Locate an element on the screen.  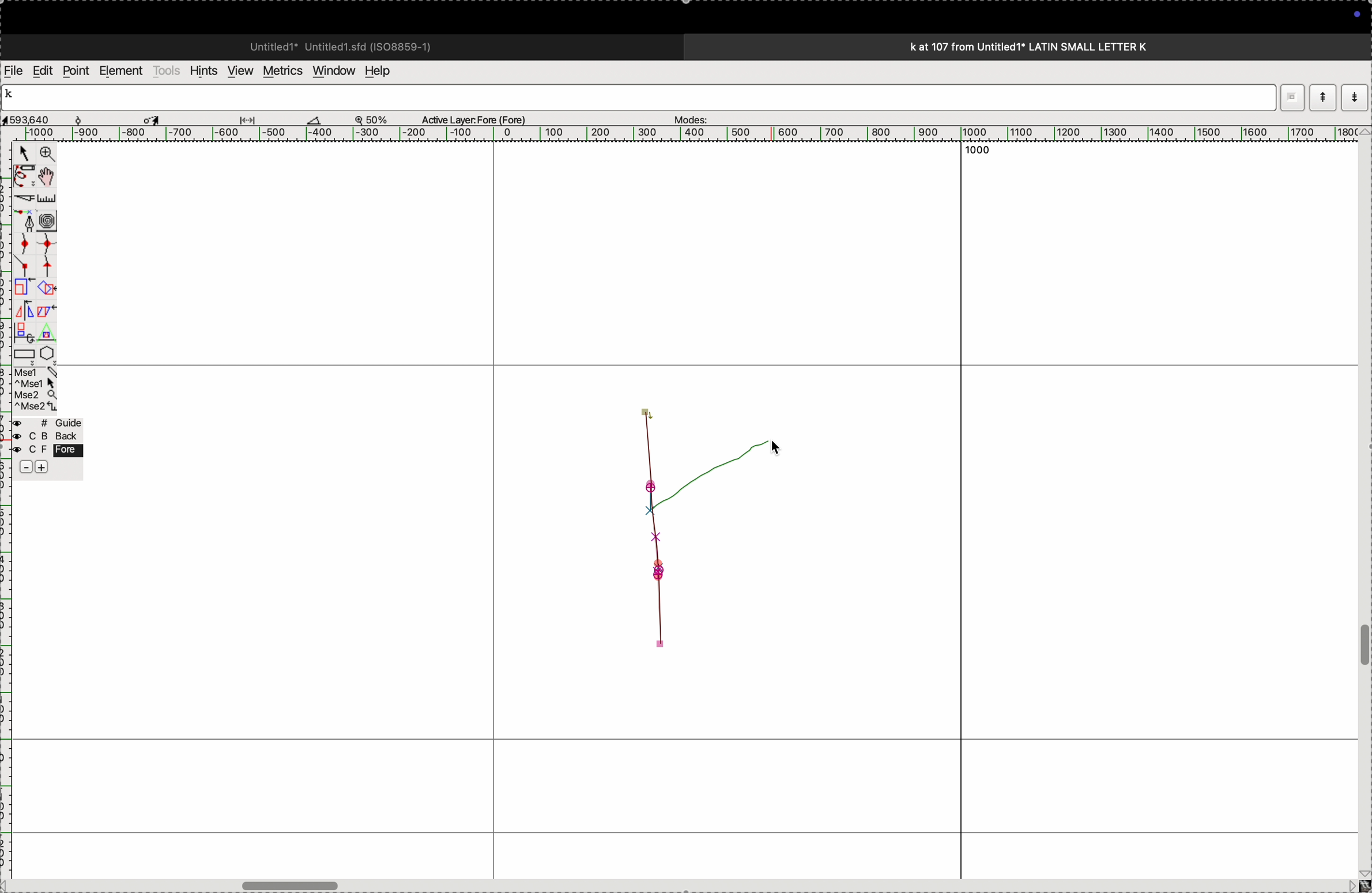
scale is located at coordinates (49, 198).